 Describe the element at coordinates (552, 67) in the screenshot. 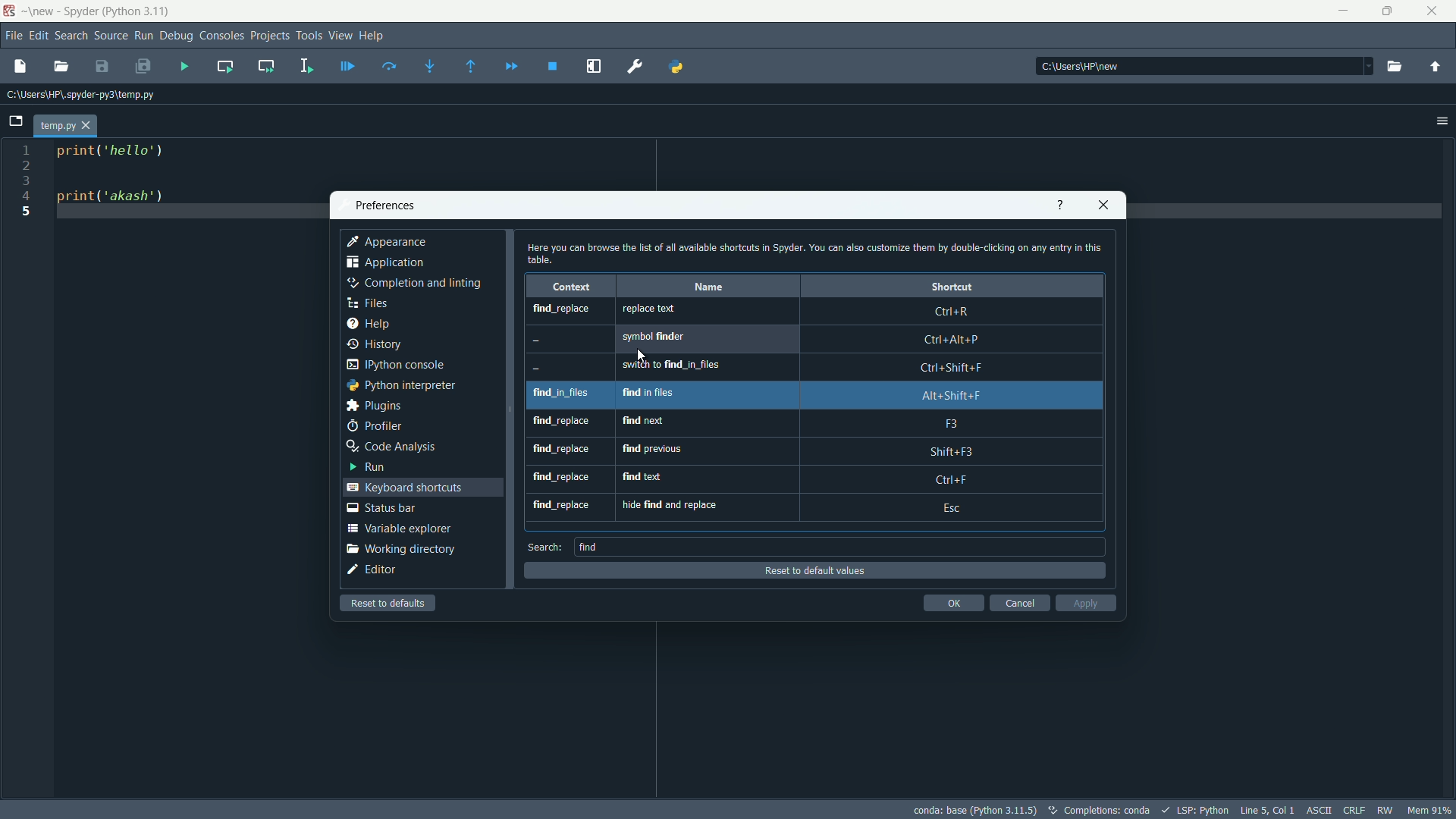

I see `stop debuging` at that location.